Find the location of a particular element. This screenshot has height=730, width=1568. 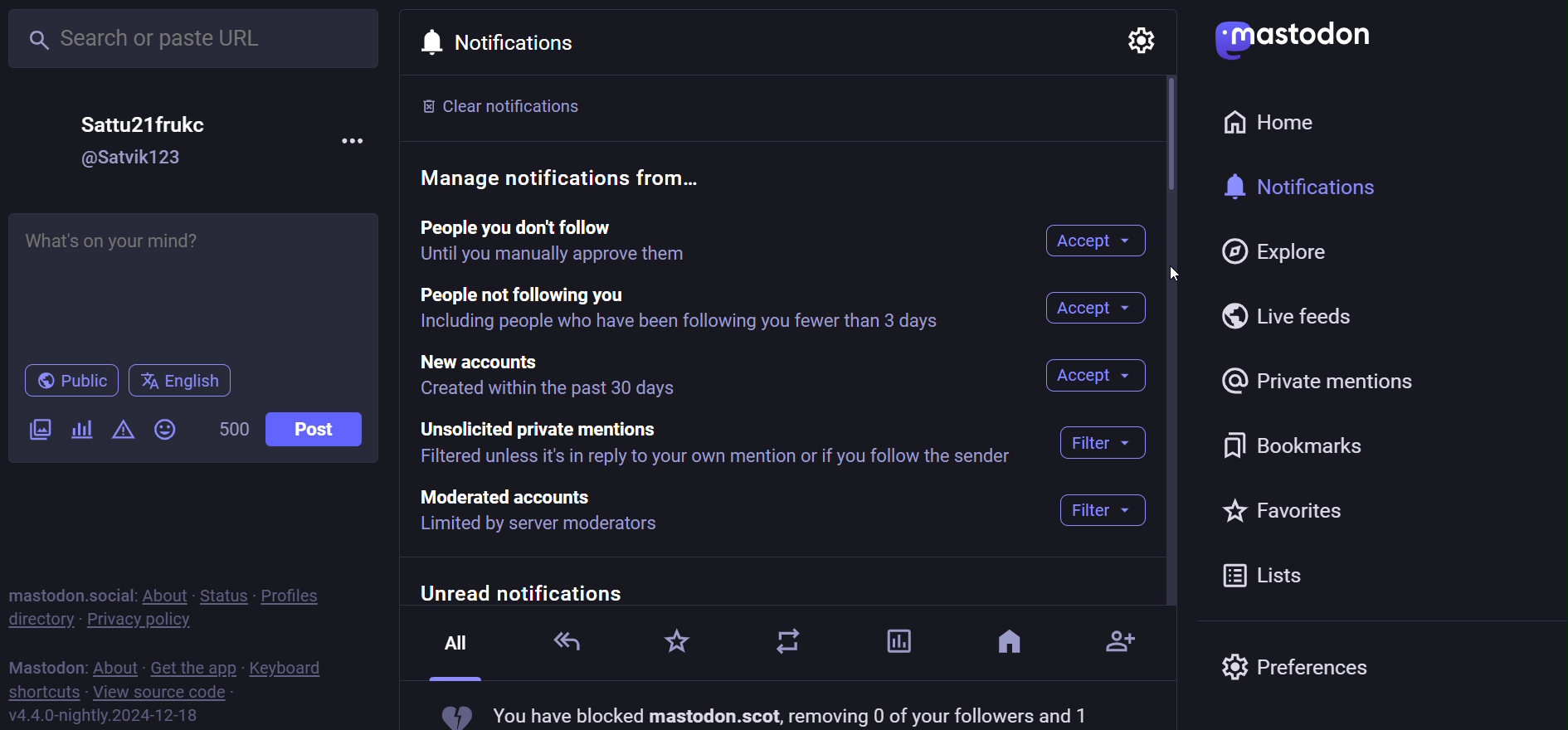

manage notification from is located at coordinates (575, 178).